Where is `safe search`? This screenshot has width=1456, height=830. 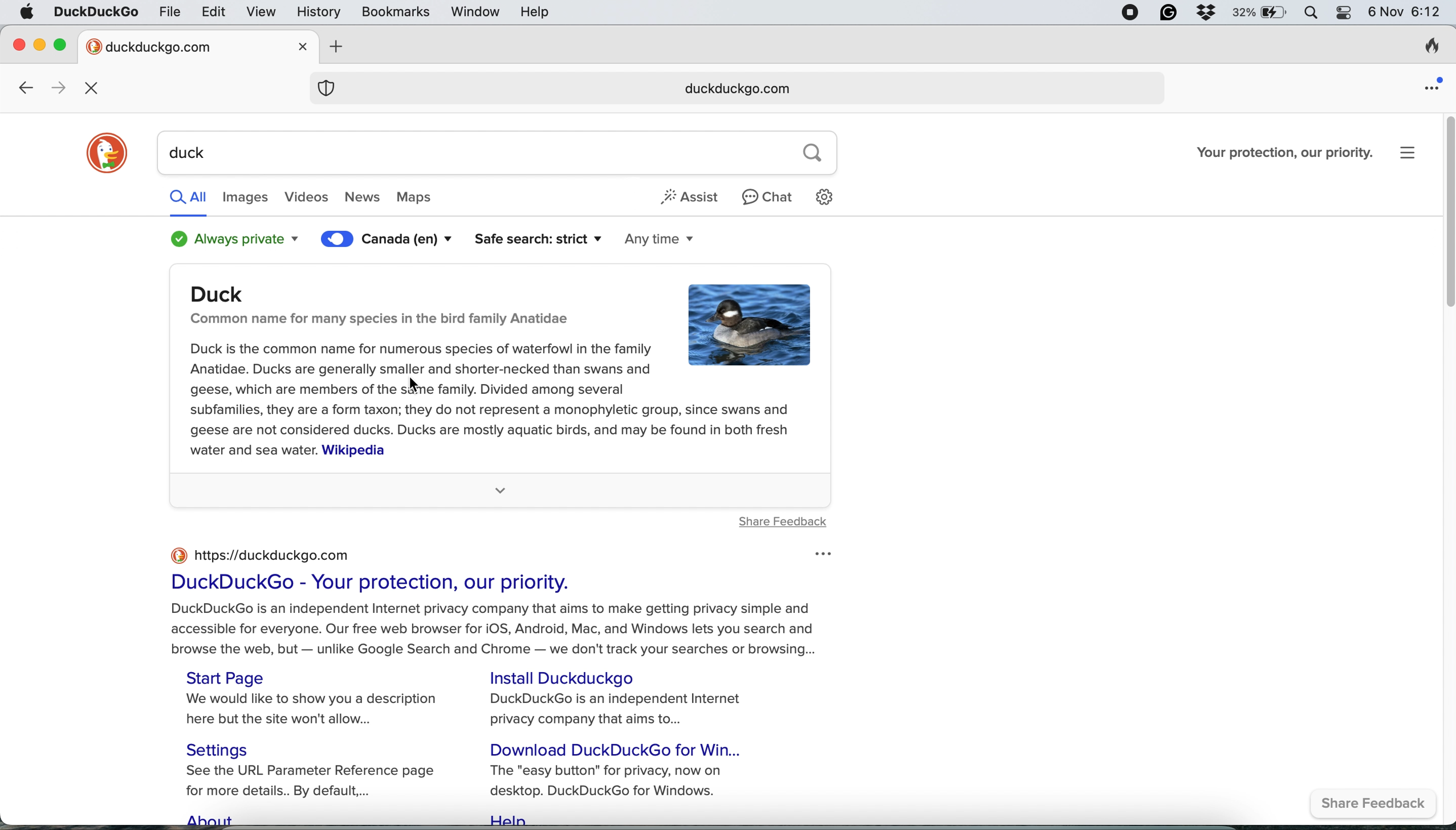
safe search is located at coordinates (528, 239).